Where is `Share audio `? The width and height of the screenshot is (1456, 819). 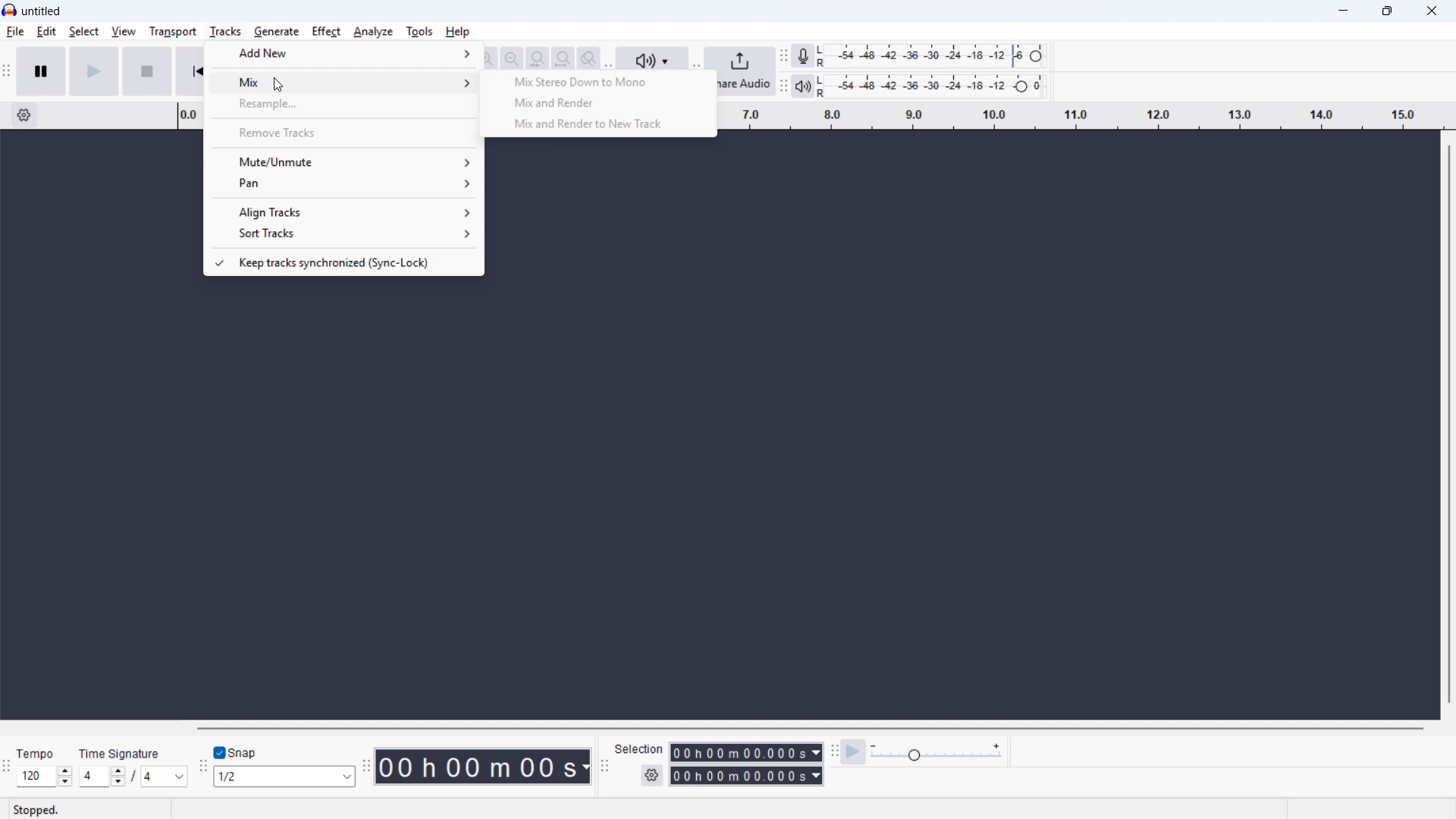
Share audio  is located at coordinates (745, 71).